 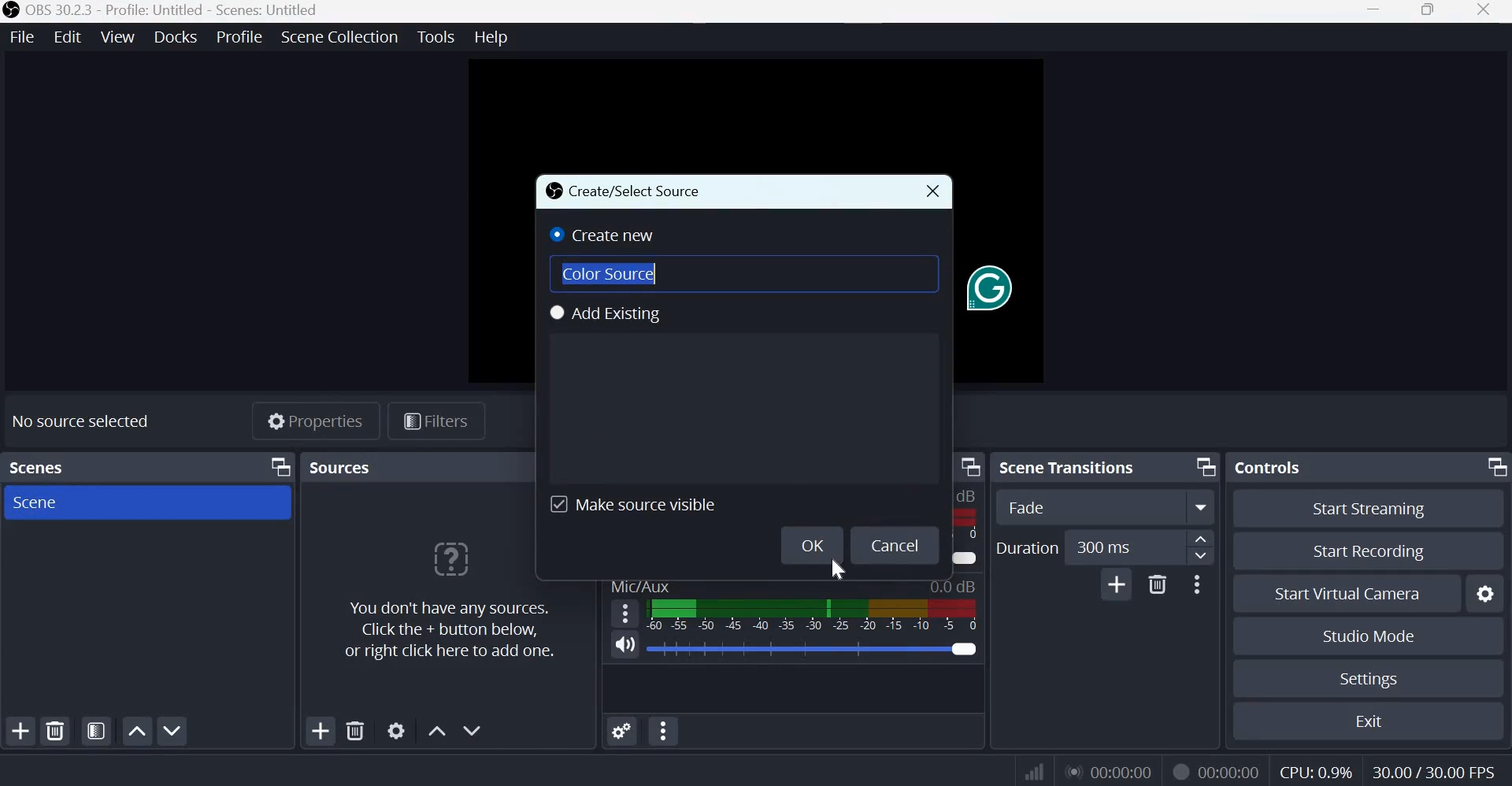 I want to click on Hamburger menu, so click(x=627, y=612).